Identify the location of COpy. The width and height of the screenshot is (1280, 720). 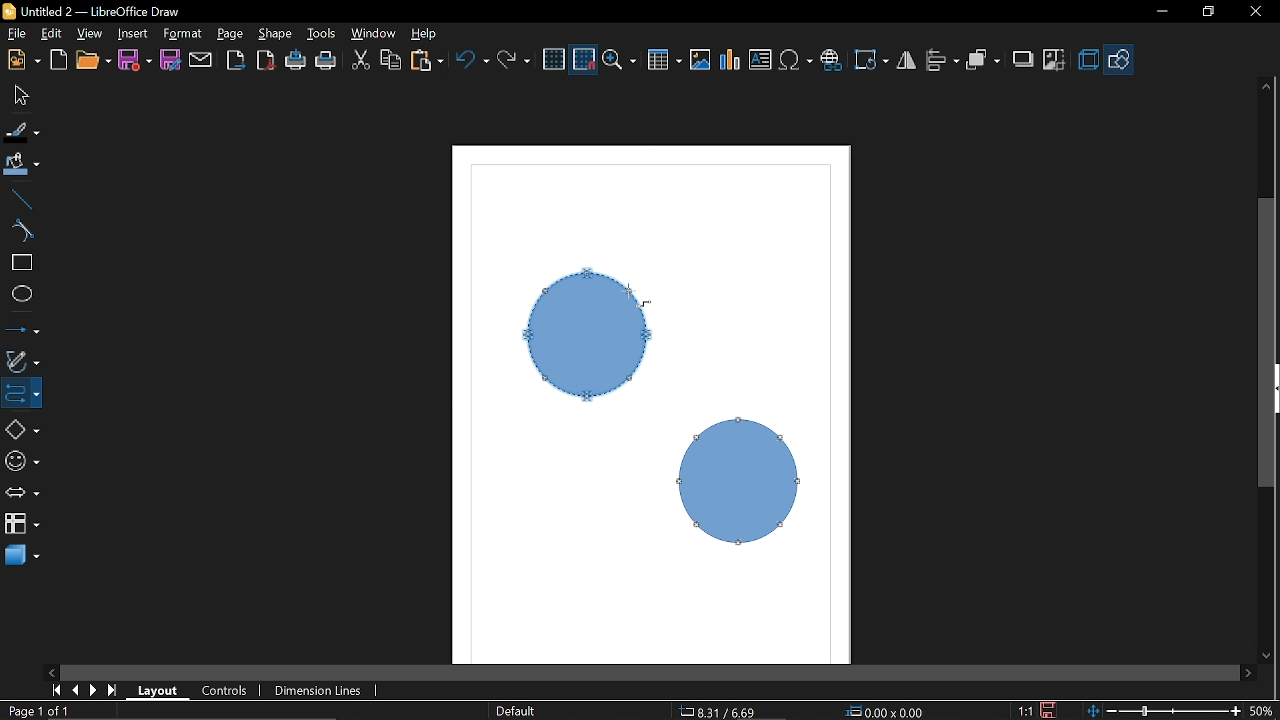
(390, 61).